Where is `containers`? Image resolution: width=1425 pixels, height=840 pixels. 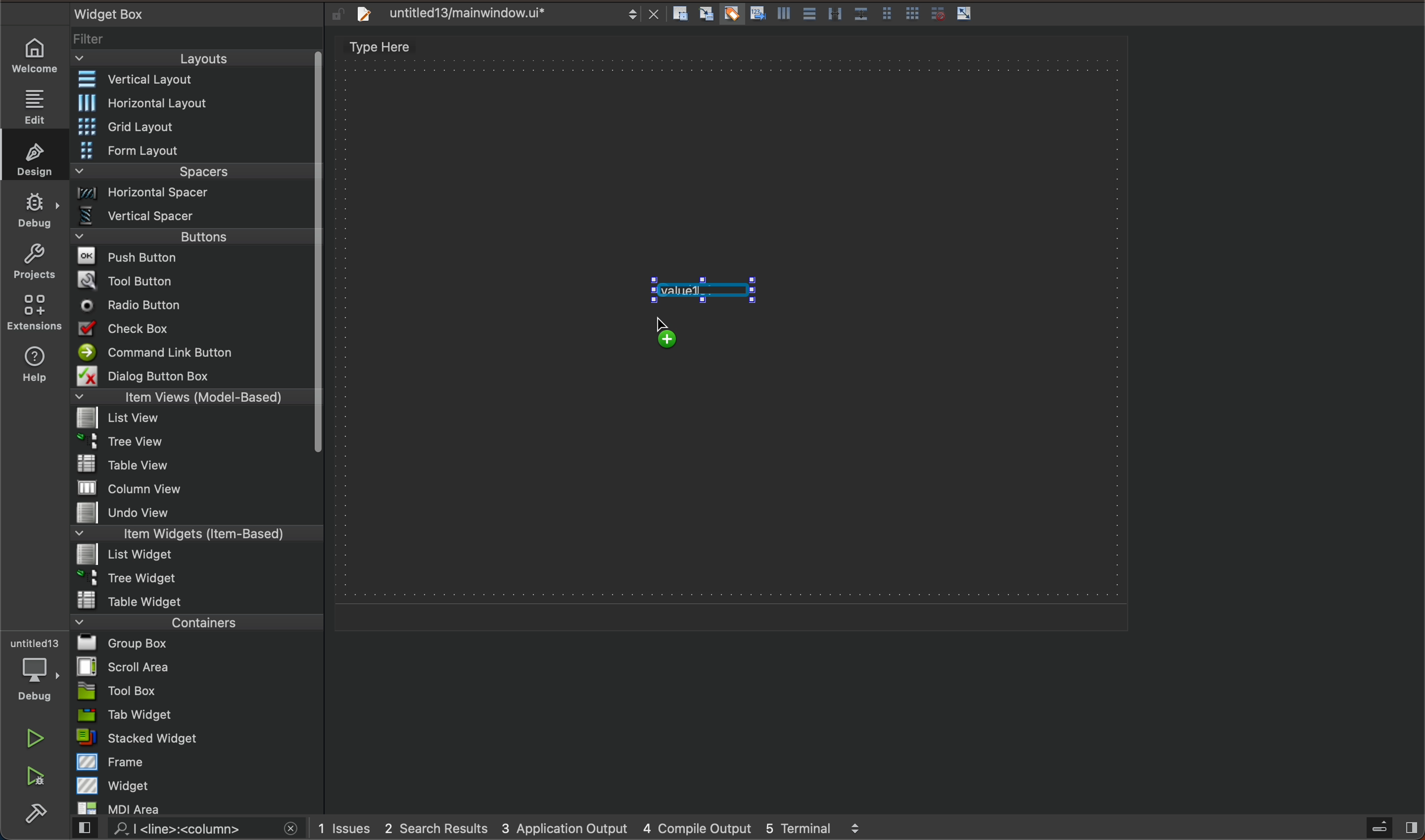
containers is located at coordinates (193, 622).